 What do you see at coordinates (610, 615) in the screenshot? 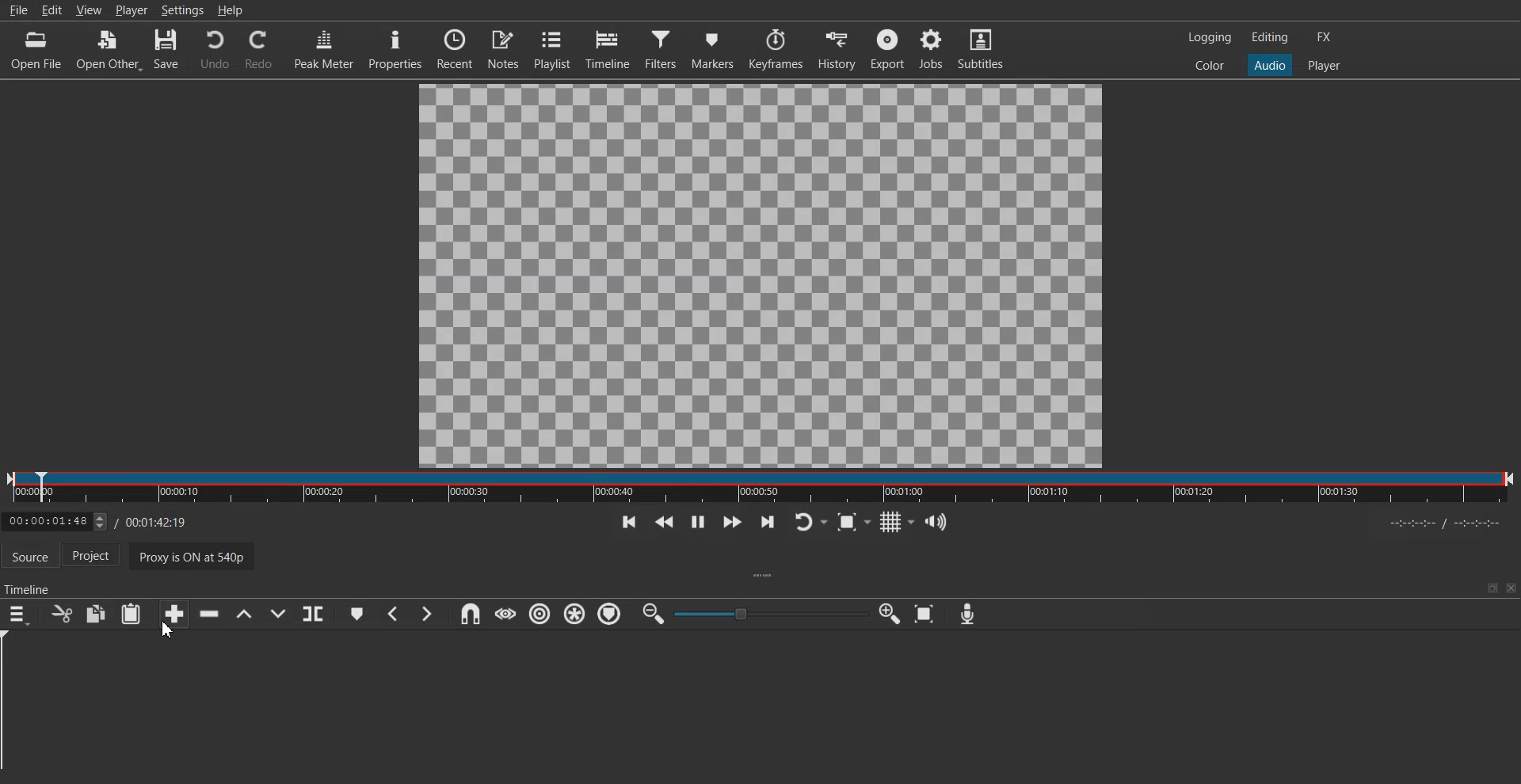
I see `Ripple marketers` at bounding box center [610, 615].